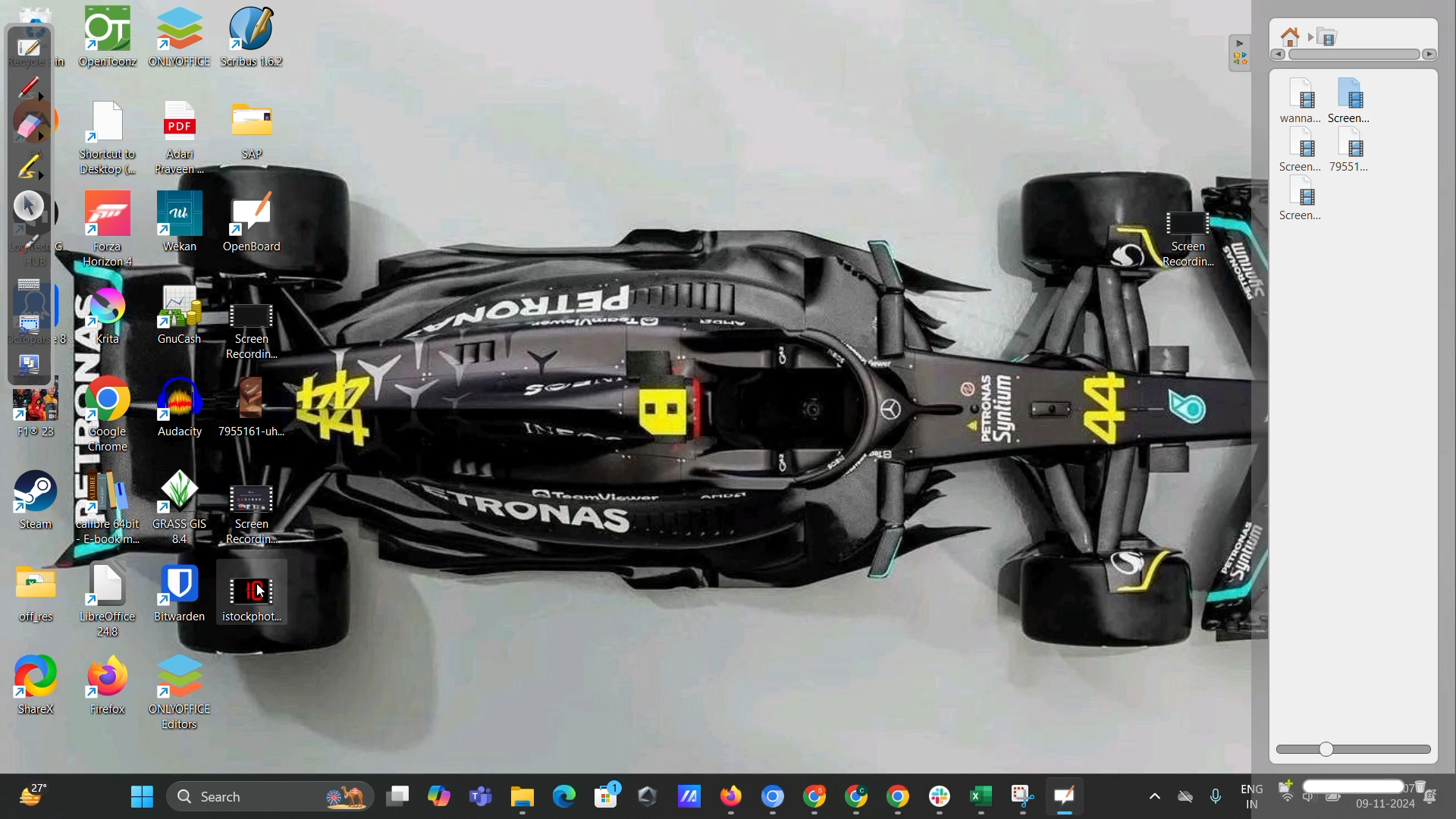 The height and width of the screenshot is (819, 1456). I want to click on Desktops, so click(396, 799).